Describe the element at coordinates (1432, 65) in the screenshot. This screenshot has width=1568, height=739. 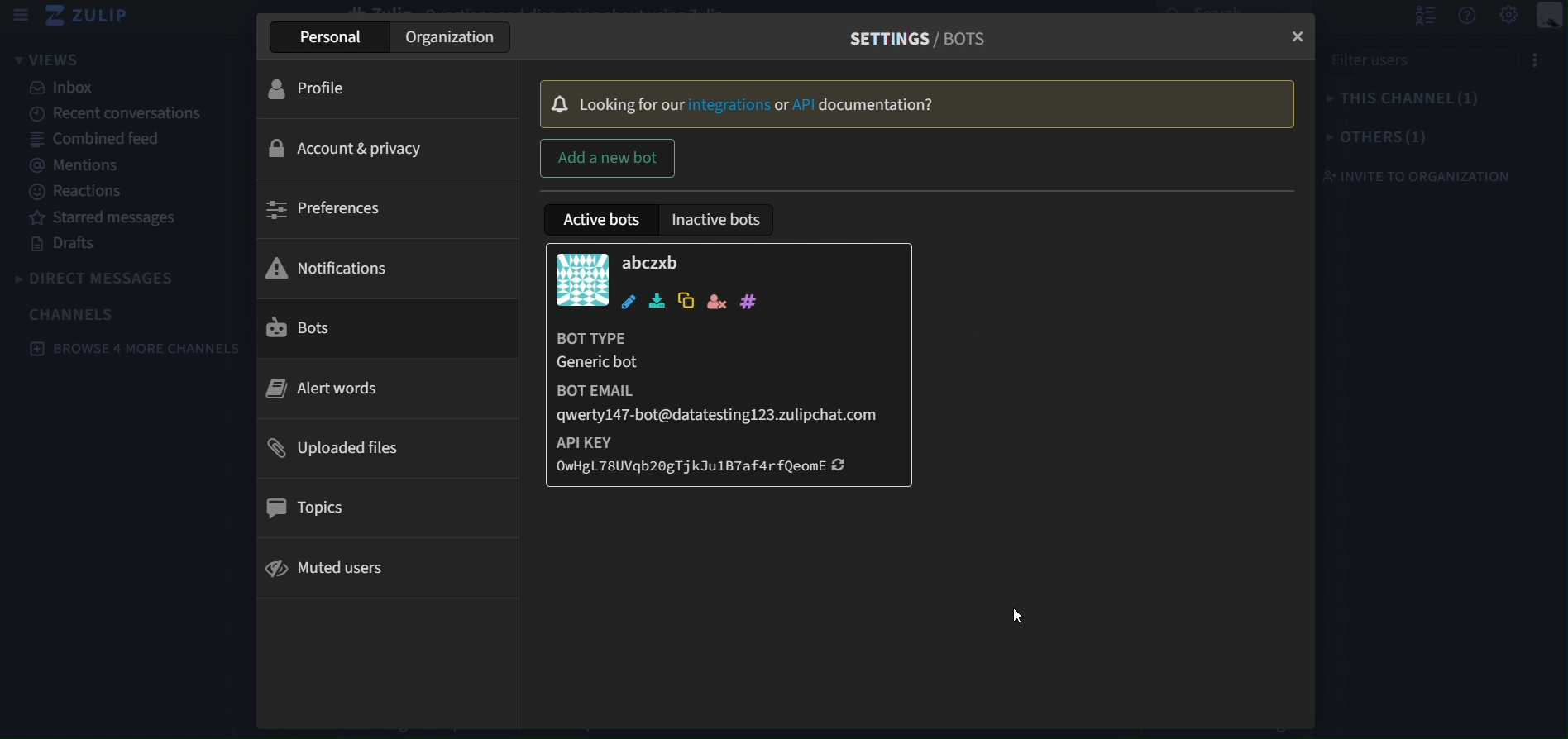
I see `filter users` at that location.